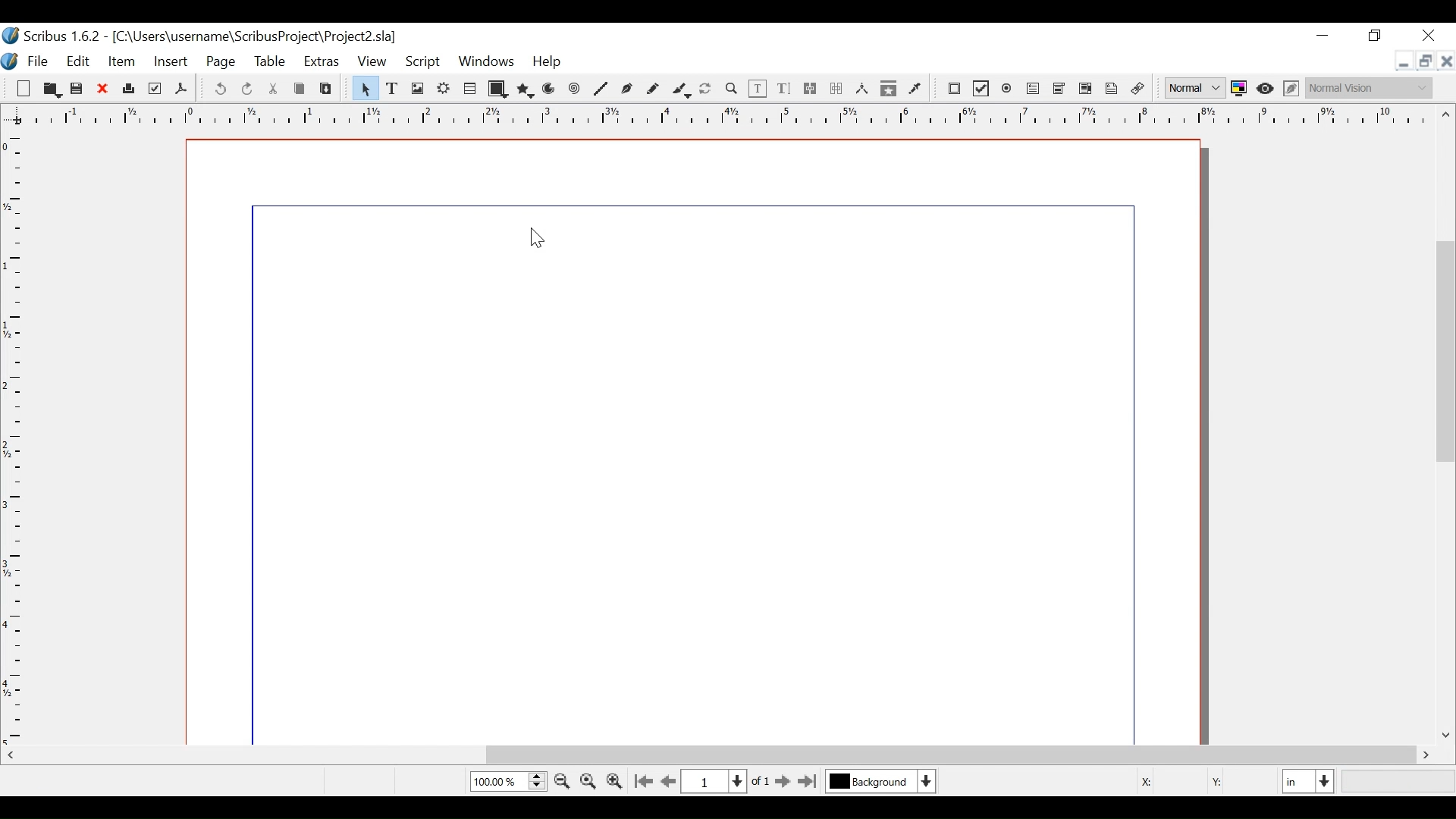 The width and height of the screenshot is (1456, 819). Describe the element at coordinates (573, 90) in the screenshot. I see `Spiral ` at that location.